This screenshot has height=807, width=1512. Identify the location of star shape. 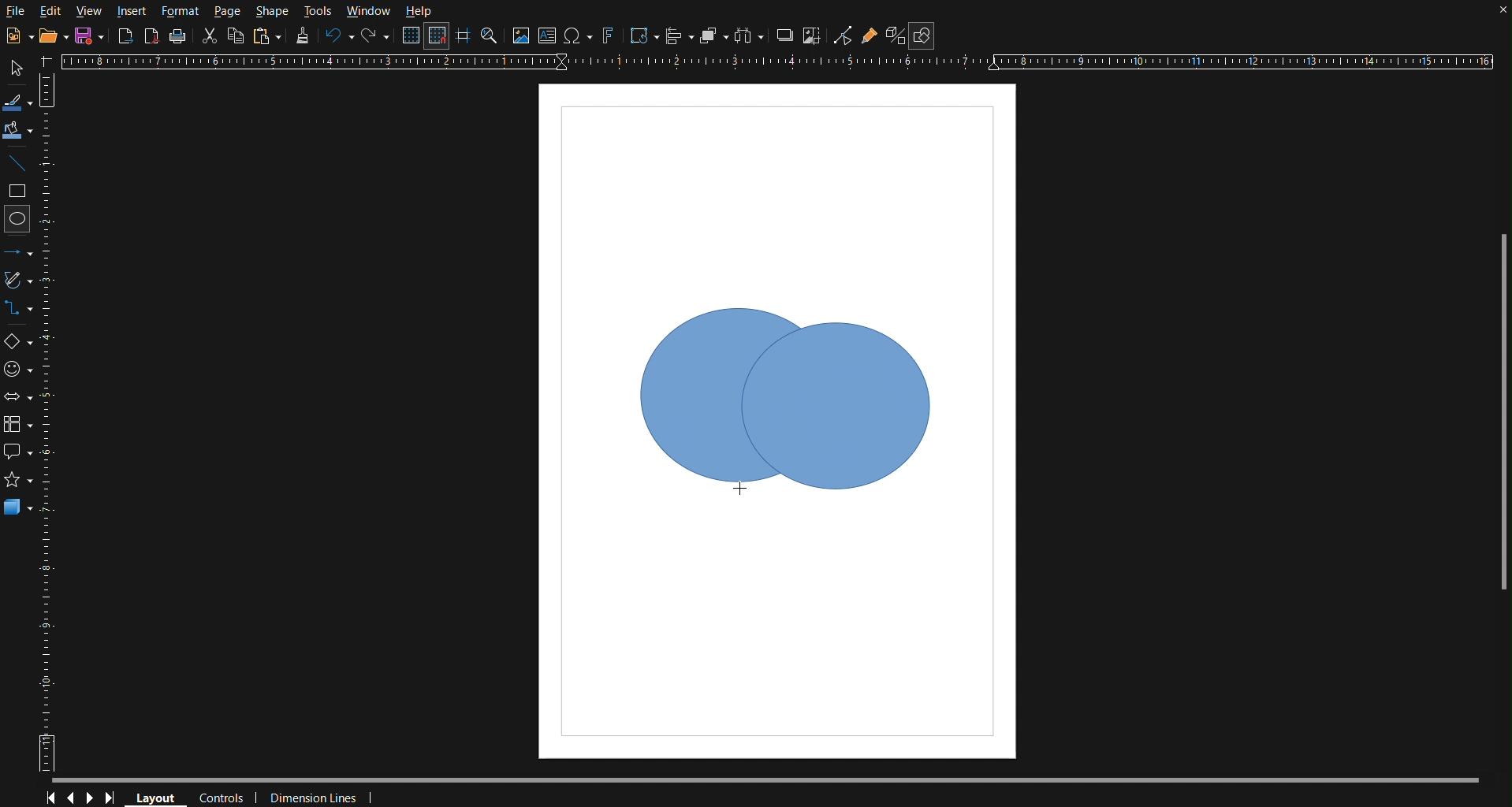
(20, 478).